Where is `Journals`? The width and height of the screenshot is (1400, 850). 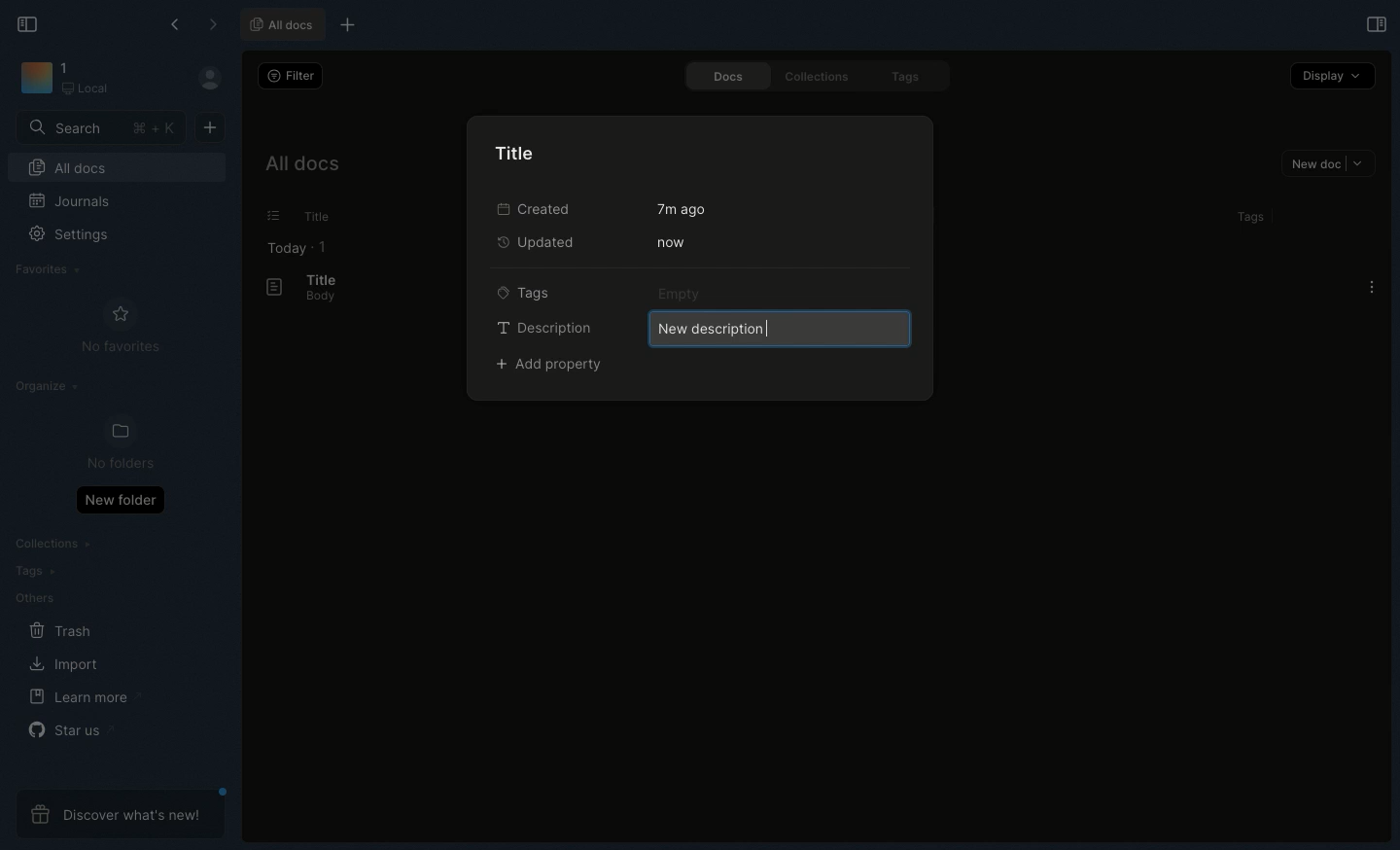
Journals is located at coordinates (71, 203).